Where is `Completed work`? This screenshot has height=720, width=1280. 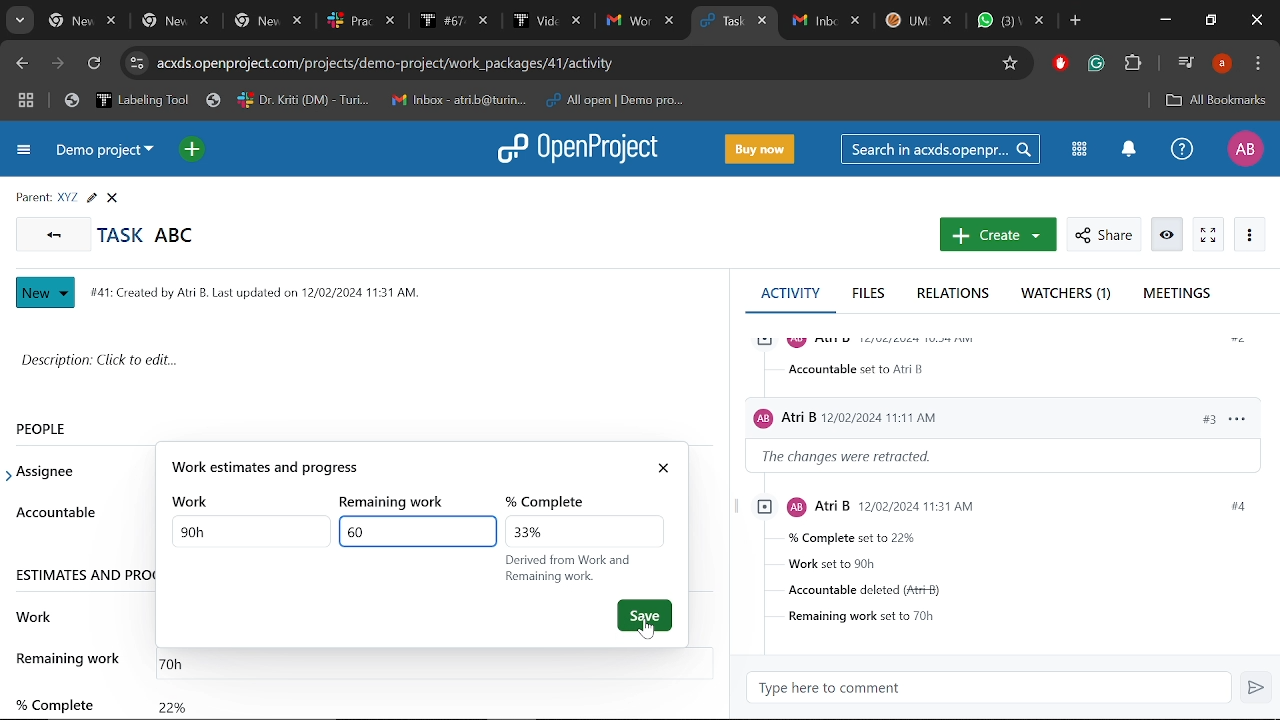 Completed work is located at coordinates (172, 702).